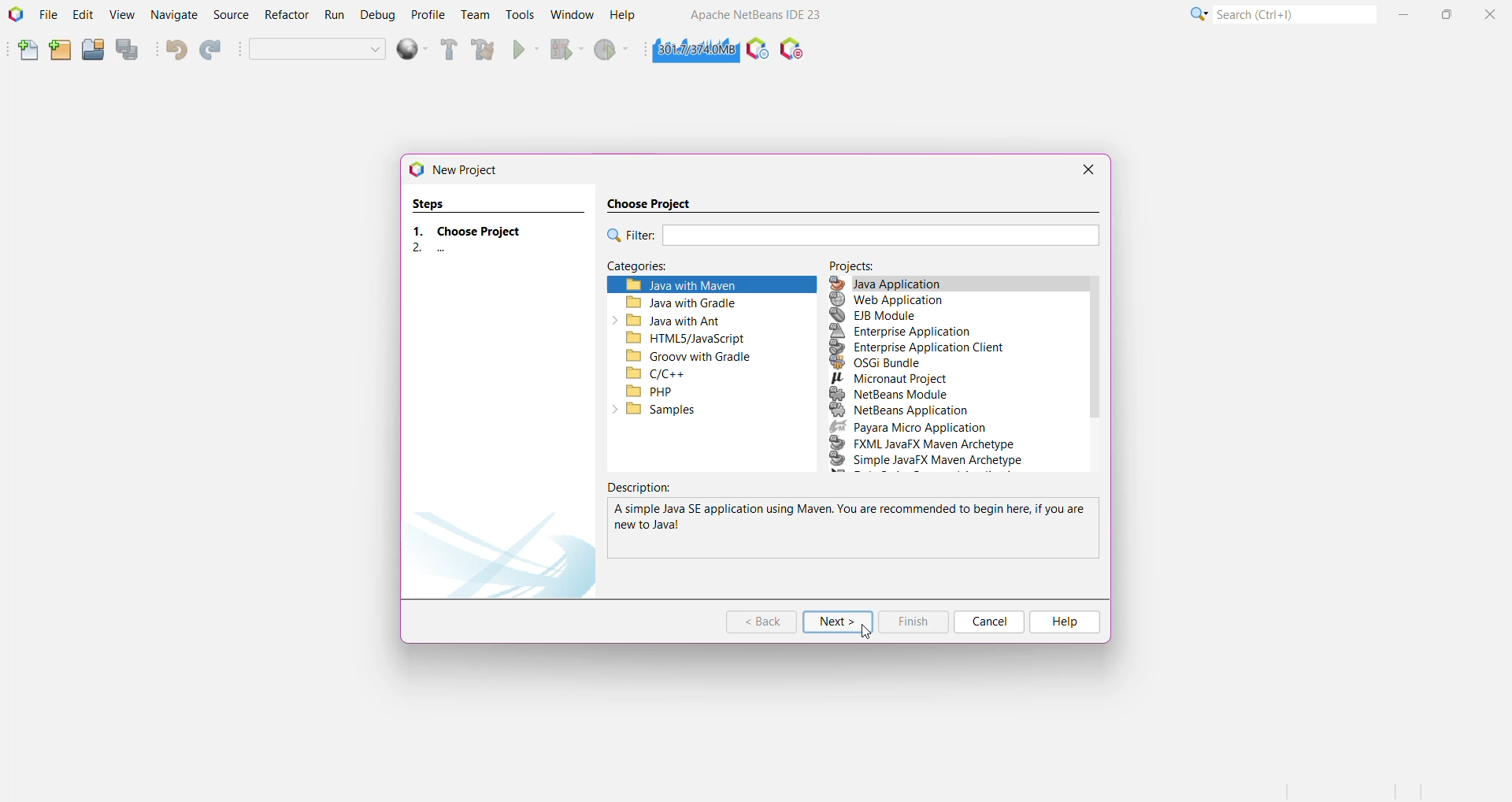 Image resolution: width=1512 pixels, height=802 pixels. Describe the element at coordinates (623, 16) in the screenshot. I see `Help` at that location.